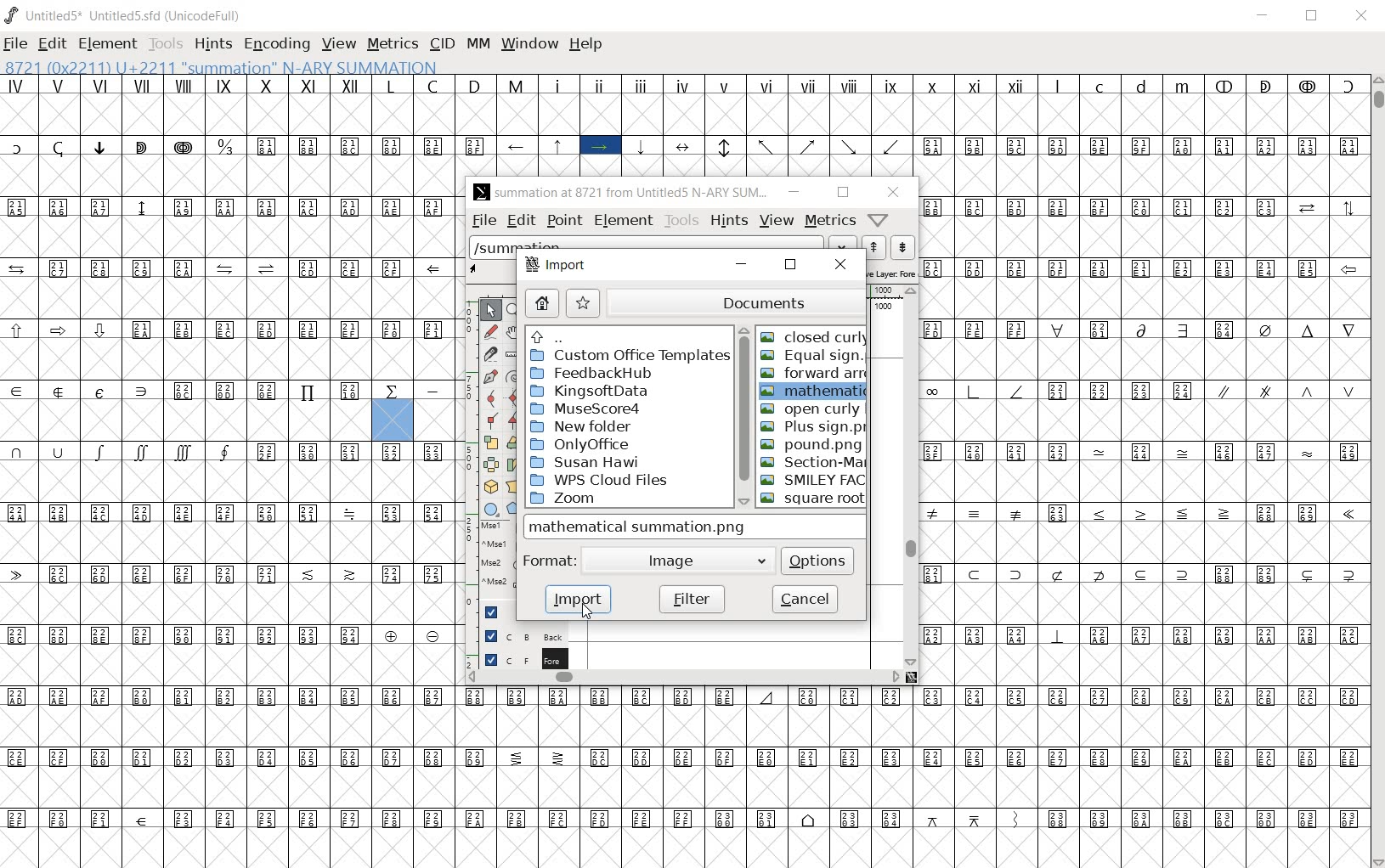 This screenshot has height=868, width=1385. Describe the element at coordinates (164, 42) in the screenshot. I see `TOOLS` at that location.